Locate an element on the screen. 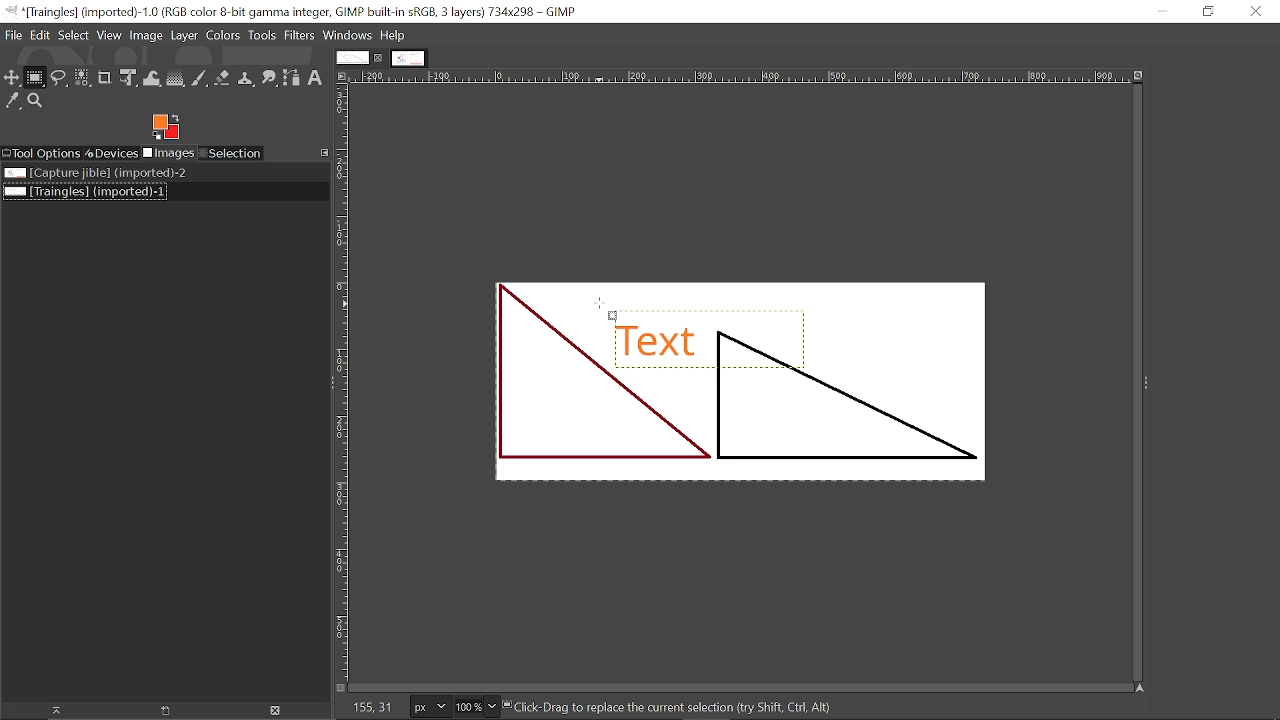  Current window is located at coordinates (294, 12).